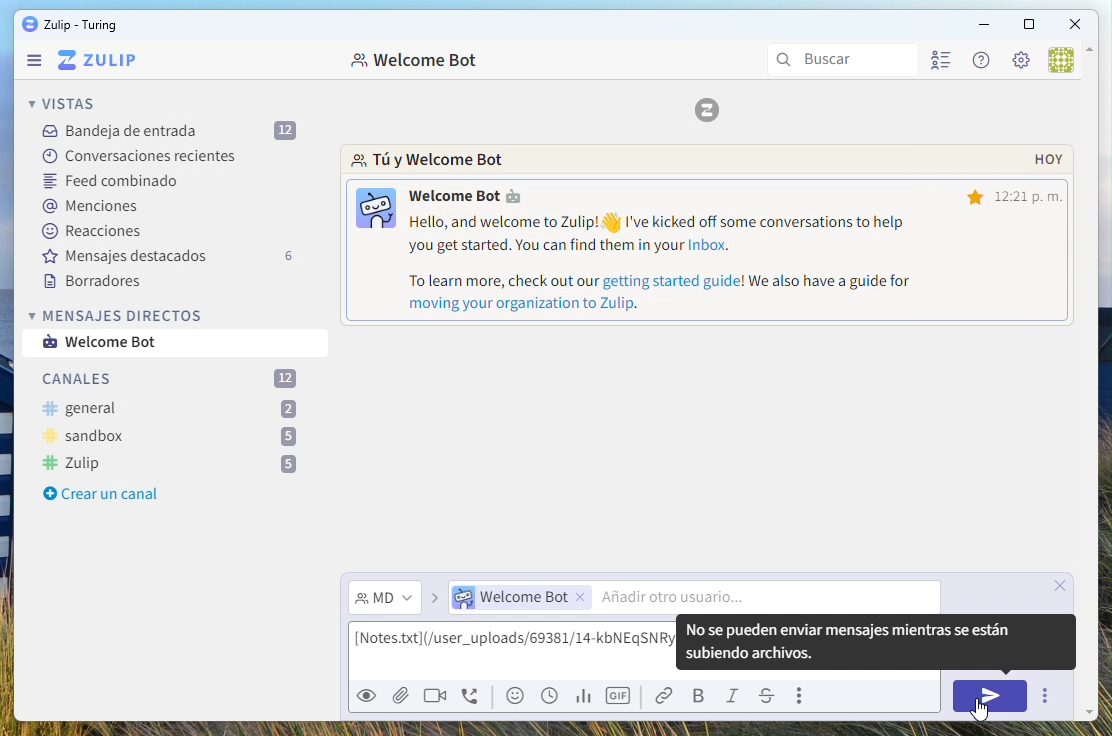 The height and width of the screenshot is (736, 1112). I want to click on Logo, so click(708, 112).